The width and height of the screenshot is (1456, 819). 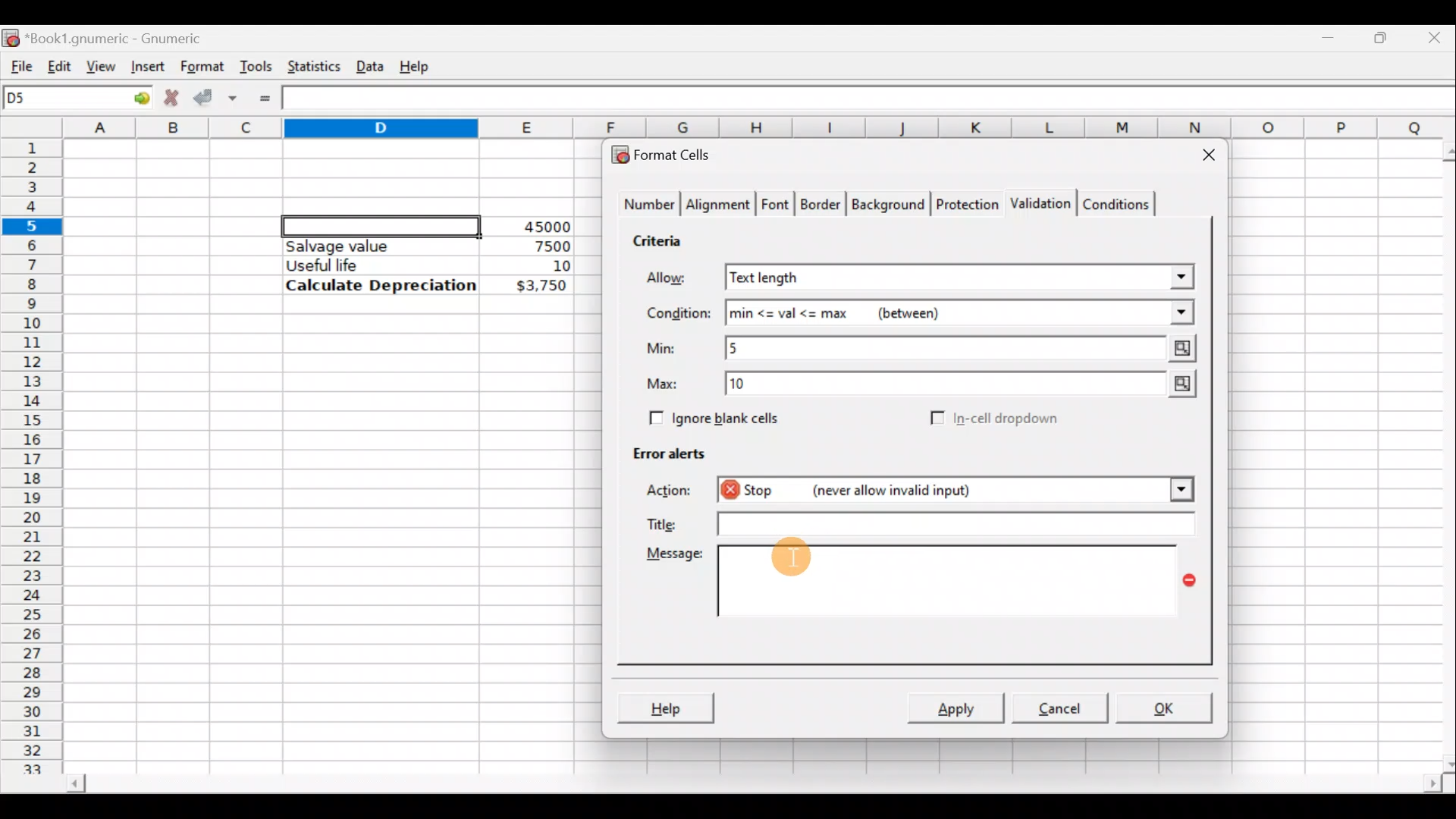 What do you see at coordinates (677, 280) in the screenshot?
I see `Allow` at bounding box center [677, 280].